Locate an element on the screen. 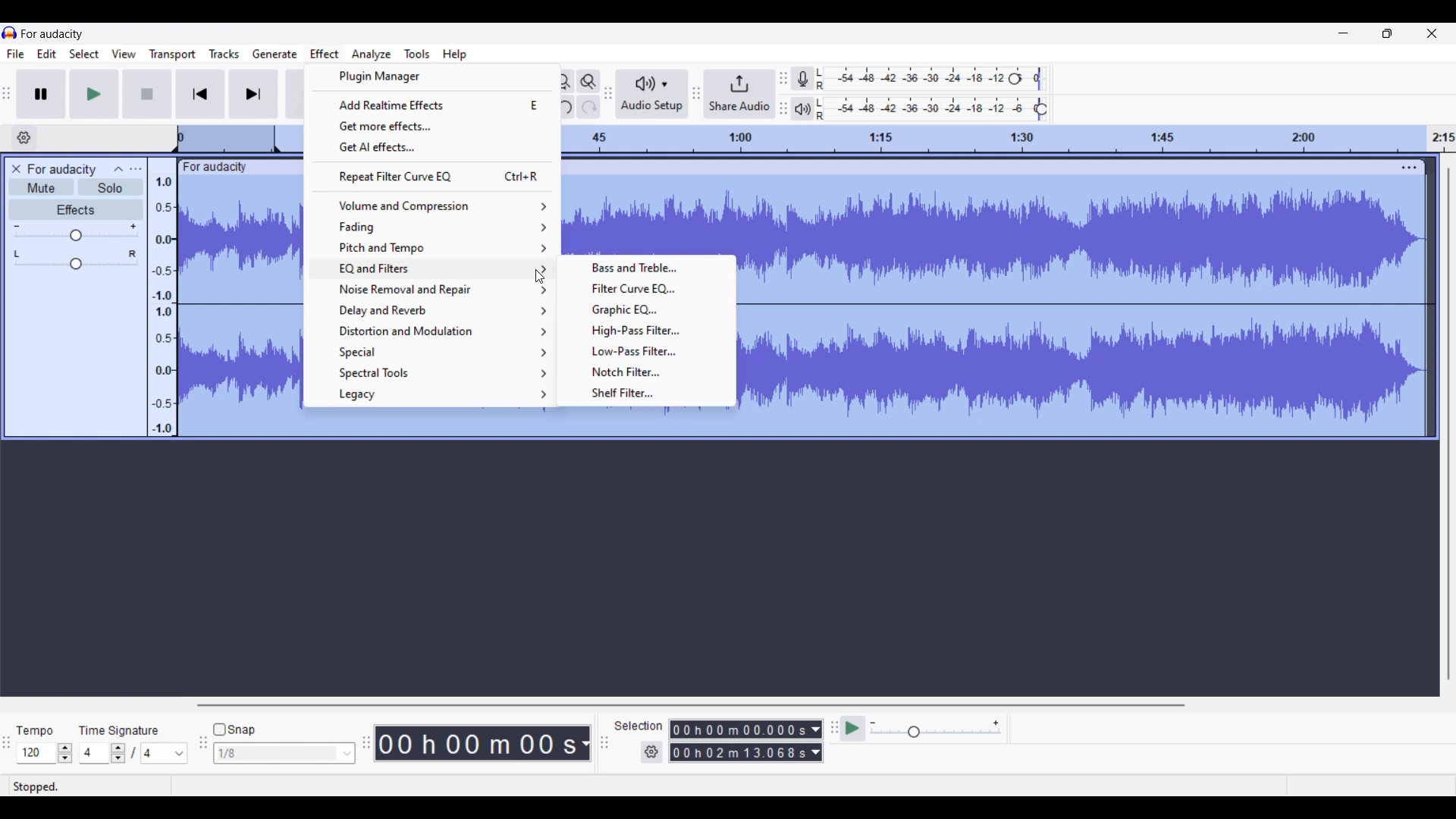  Zoom toggle is located at coordinates (589, 81).